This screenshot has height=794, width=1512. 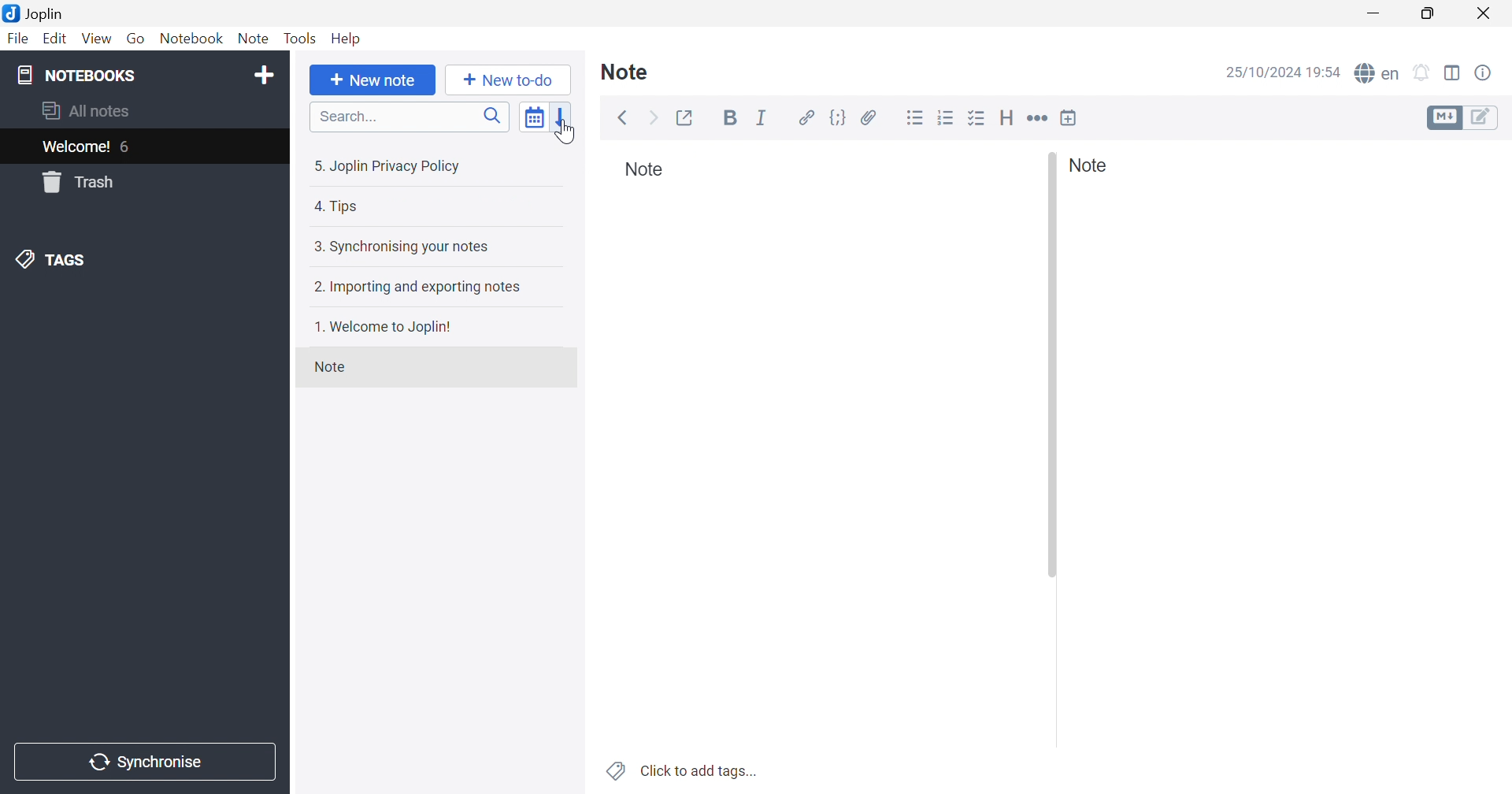 I want to click on Add notebook, so click(x=264, y=72).